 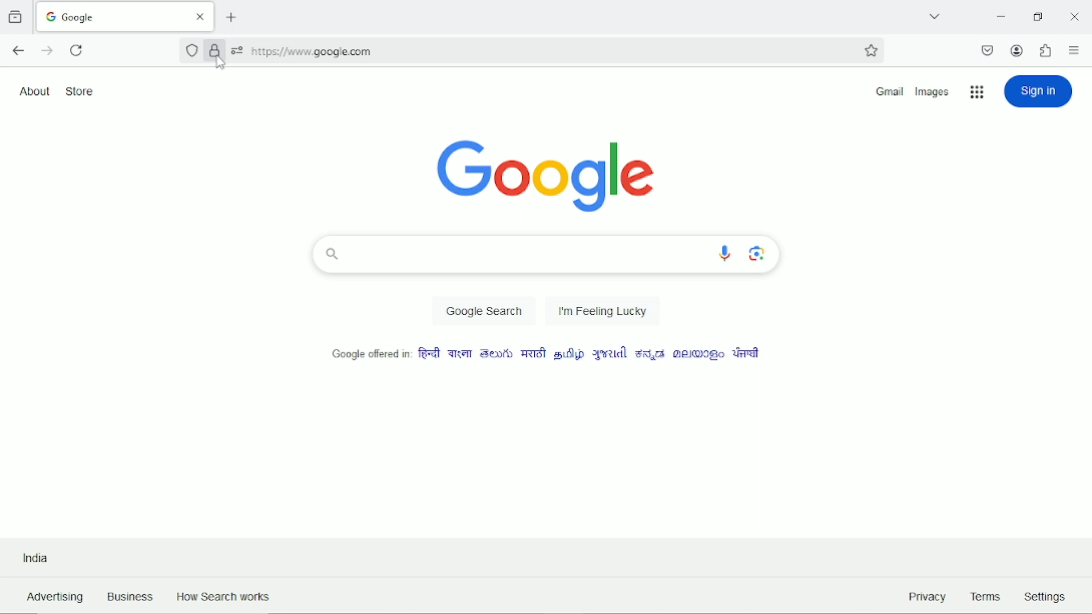 I want to click on No trackers known to firefox were detected on this page, so click(x=193, y=50).